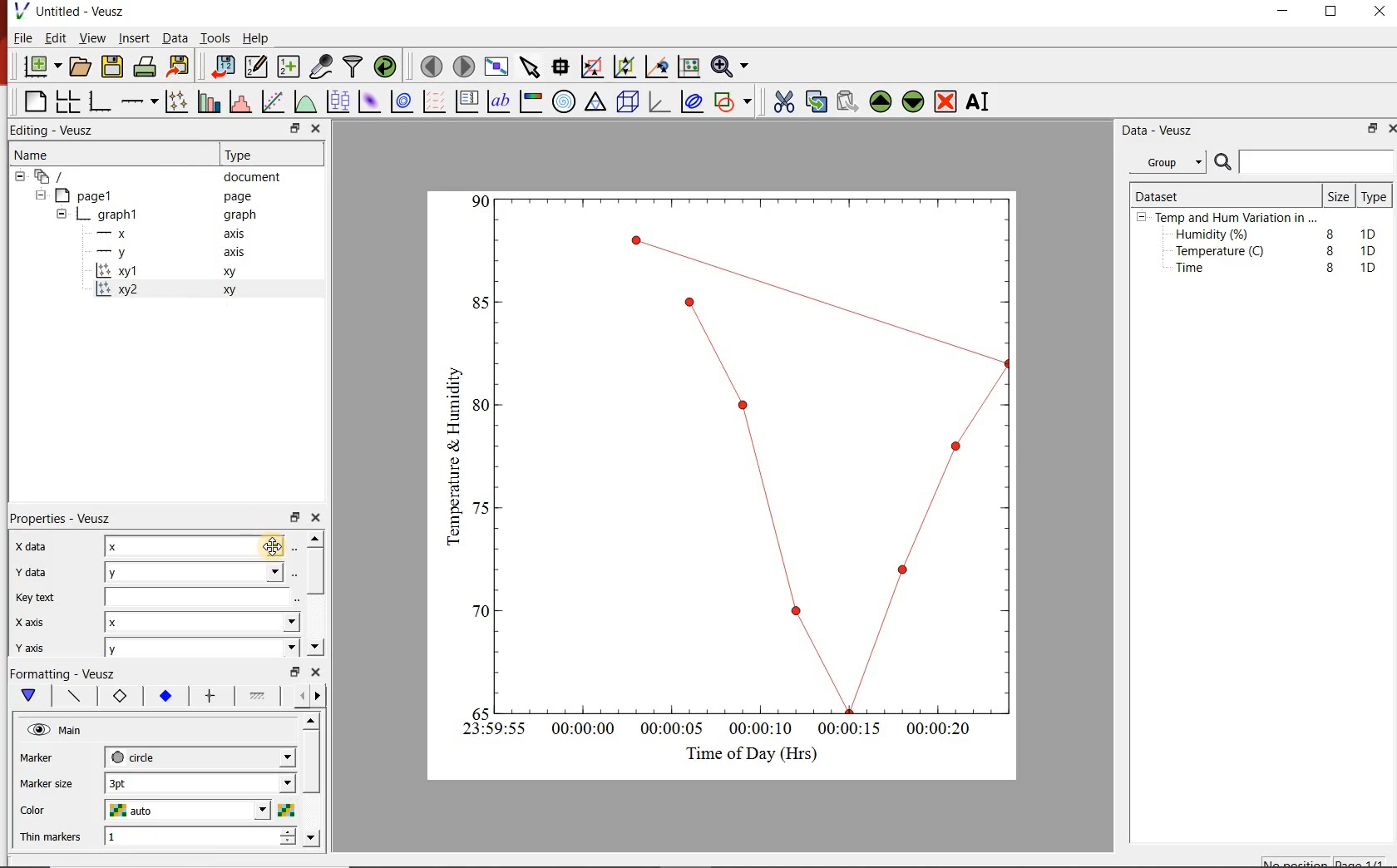 The width and height of the screenshot is (1397, 868). I want to click on text label, so click(502, 101).